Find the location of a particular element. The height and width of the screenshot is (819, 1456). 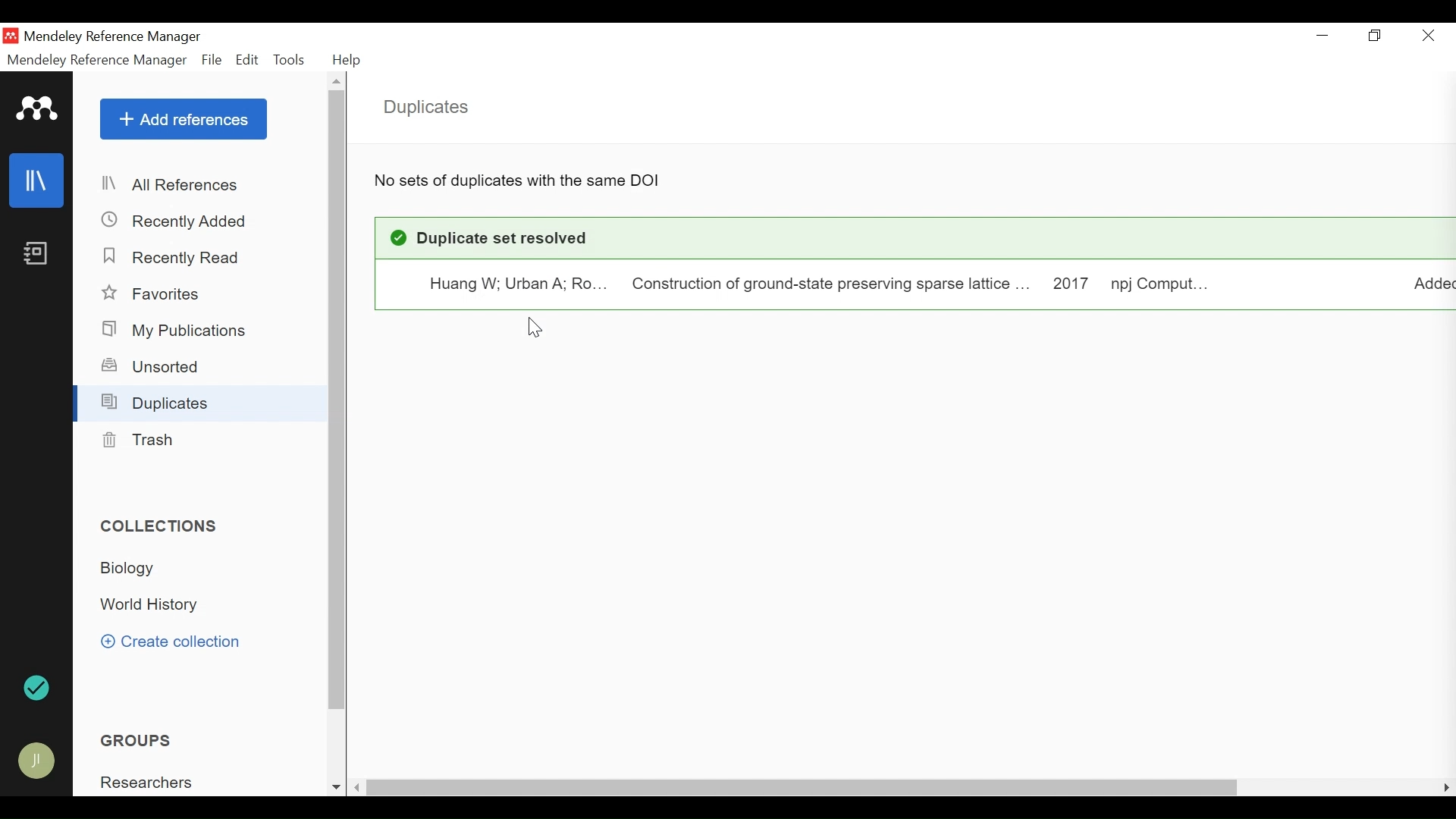

Mendeley Reference Manager is located at coordinates (98, 61).